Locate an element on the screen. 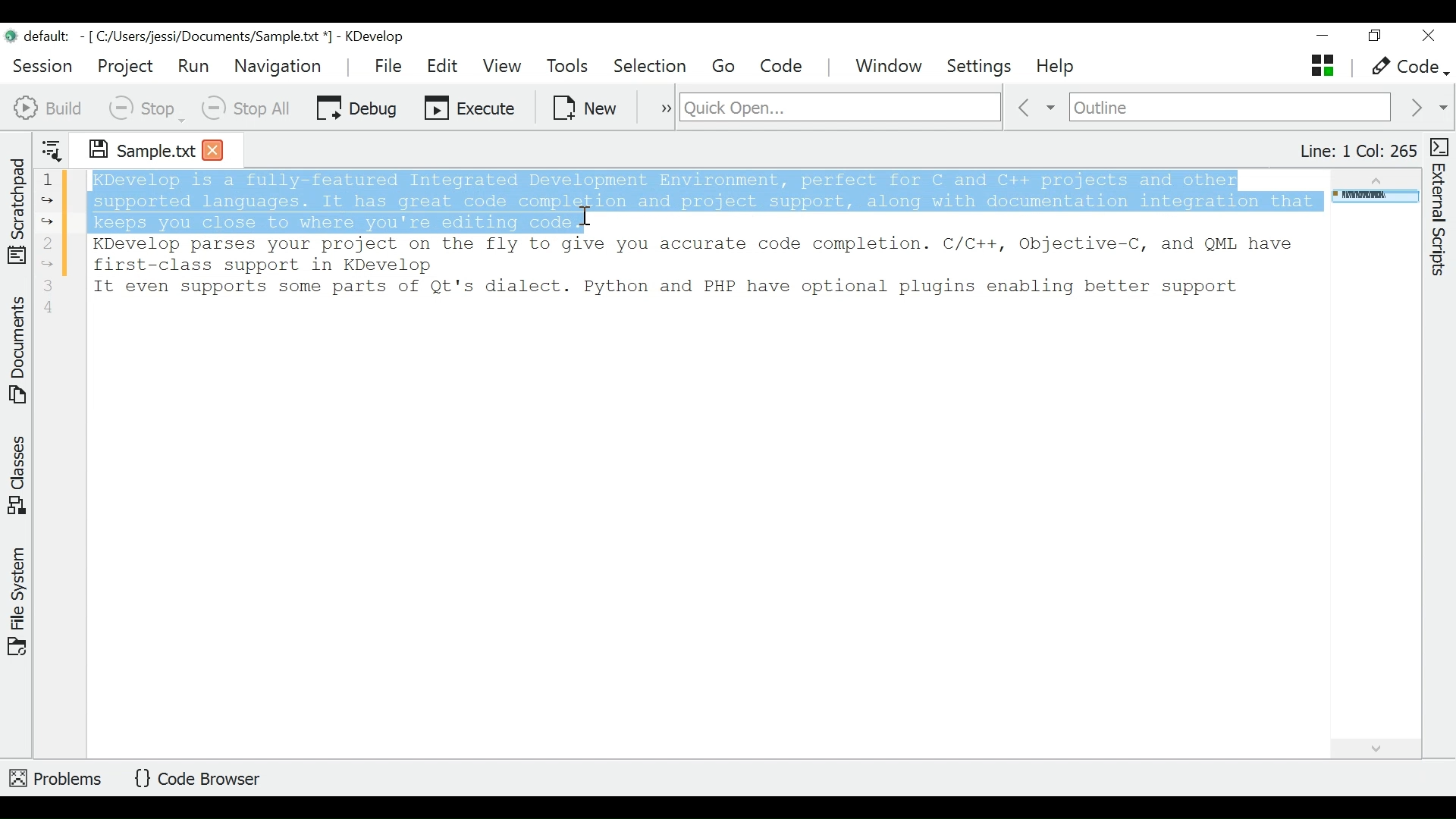  File is located at coordinates (391, 65).